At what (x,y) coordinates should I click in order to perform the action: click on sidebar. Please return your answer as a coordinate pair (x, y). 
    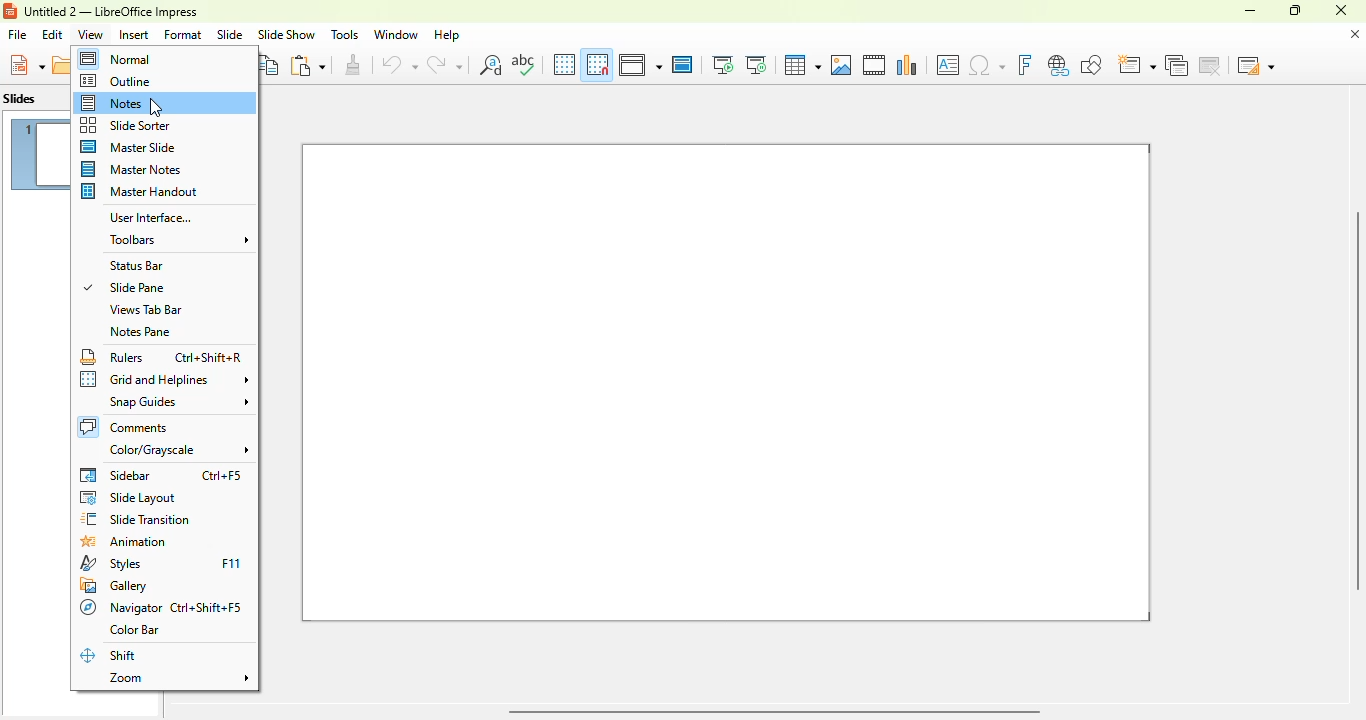
    Looking at the image, I should click on (161, 476).